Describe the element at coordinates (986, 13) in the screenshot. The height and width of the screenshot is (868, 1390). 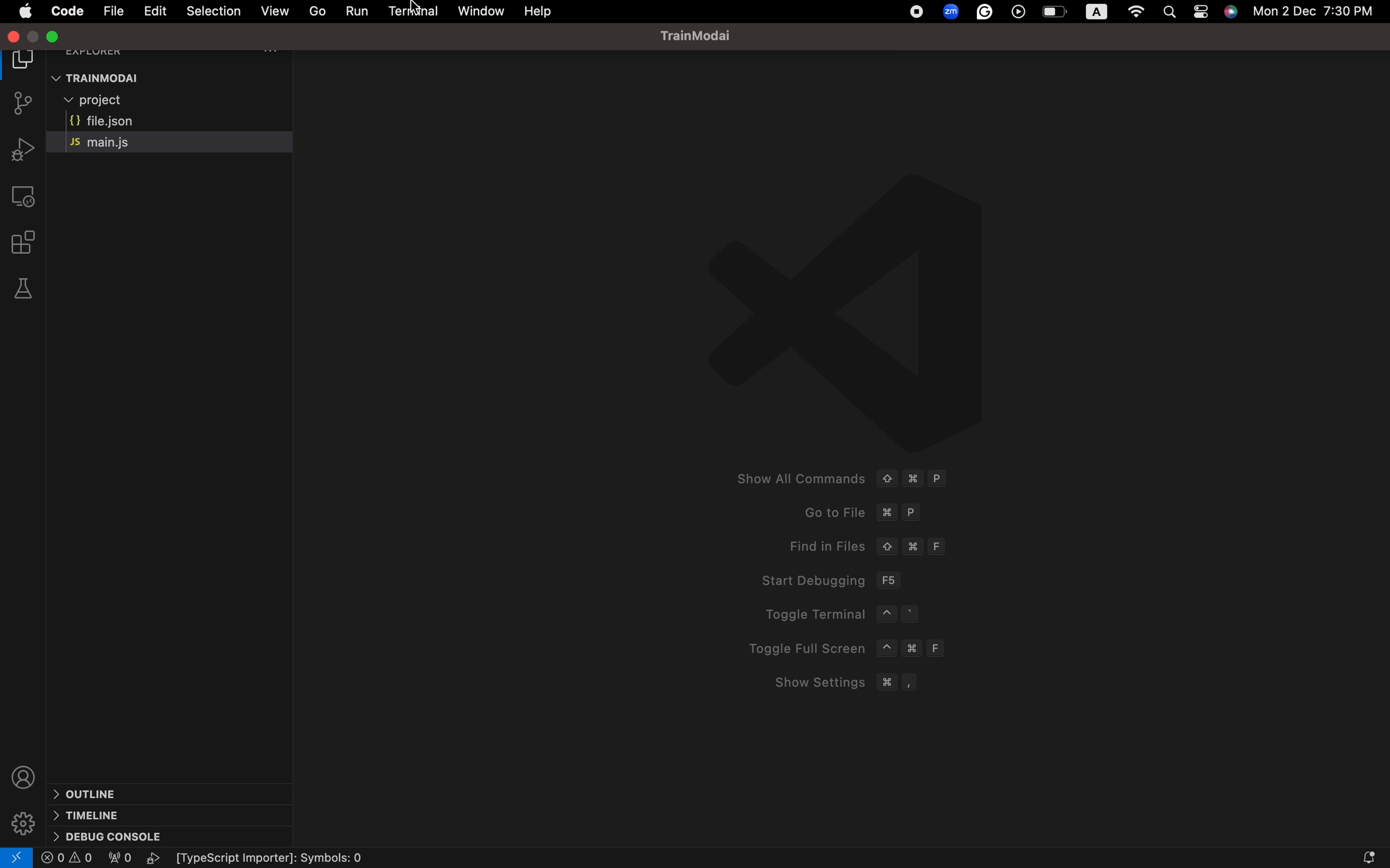
I see `Grammerly` at that location.